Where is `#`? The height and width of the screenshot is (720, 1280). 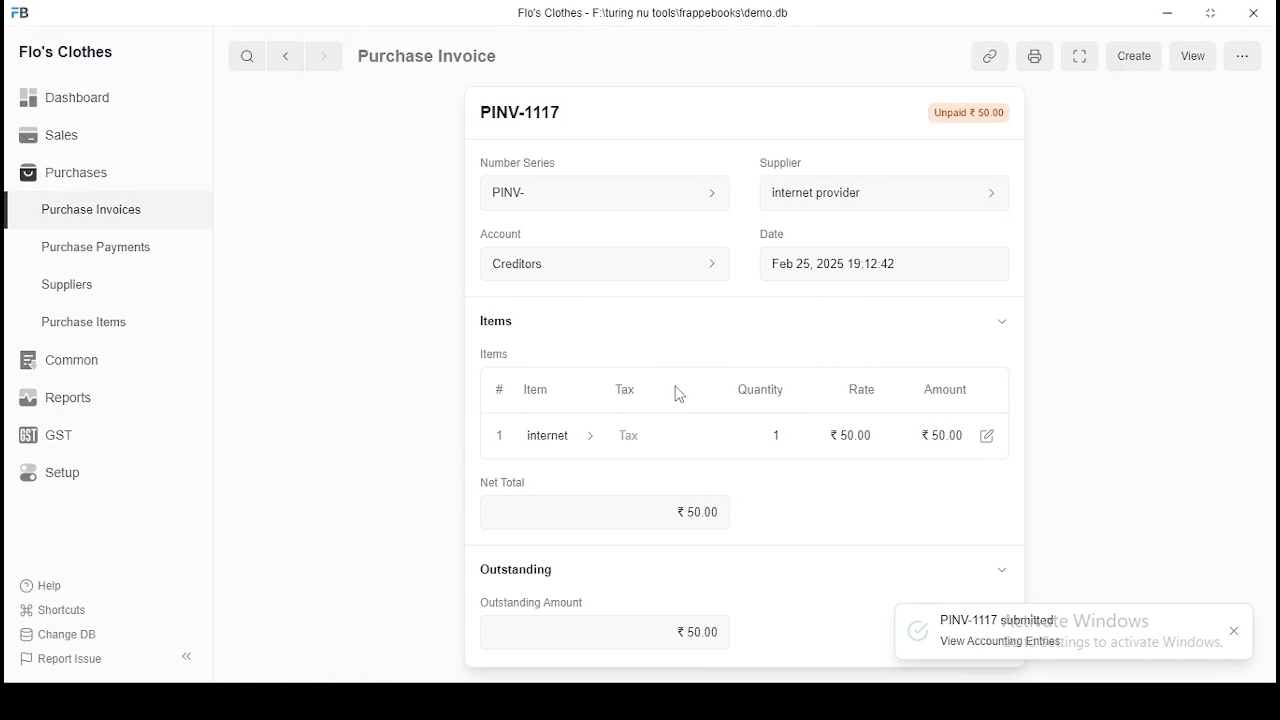
# is located at coordinates (499, 391).